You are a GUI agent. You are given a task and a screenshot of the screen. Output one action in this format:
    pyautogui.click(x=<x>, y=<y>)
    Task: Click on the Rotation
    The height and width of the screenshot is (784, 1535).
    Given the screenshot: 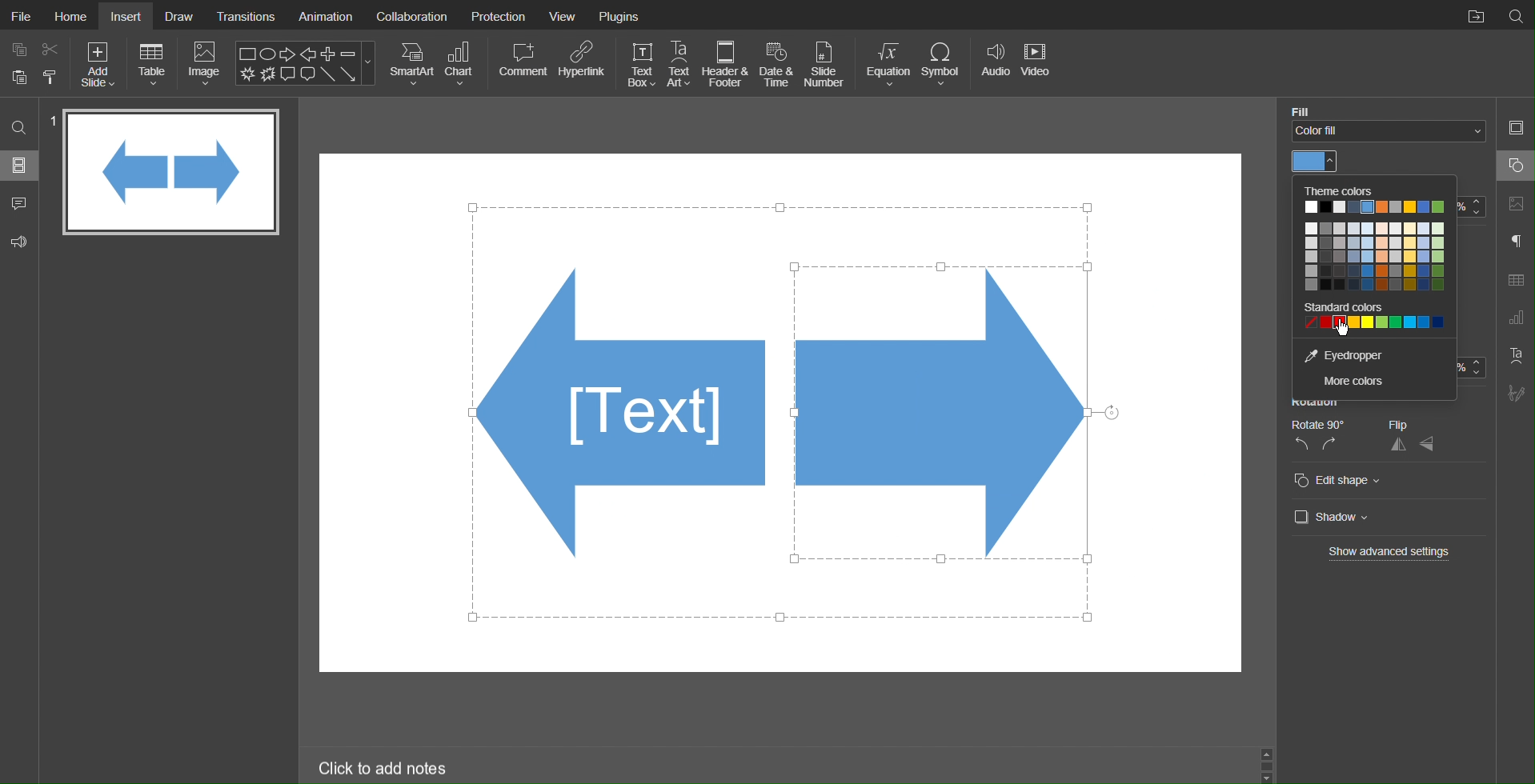 What is the action you would take?
    pyautogui.click(x=1313, y=407)
    